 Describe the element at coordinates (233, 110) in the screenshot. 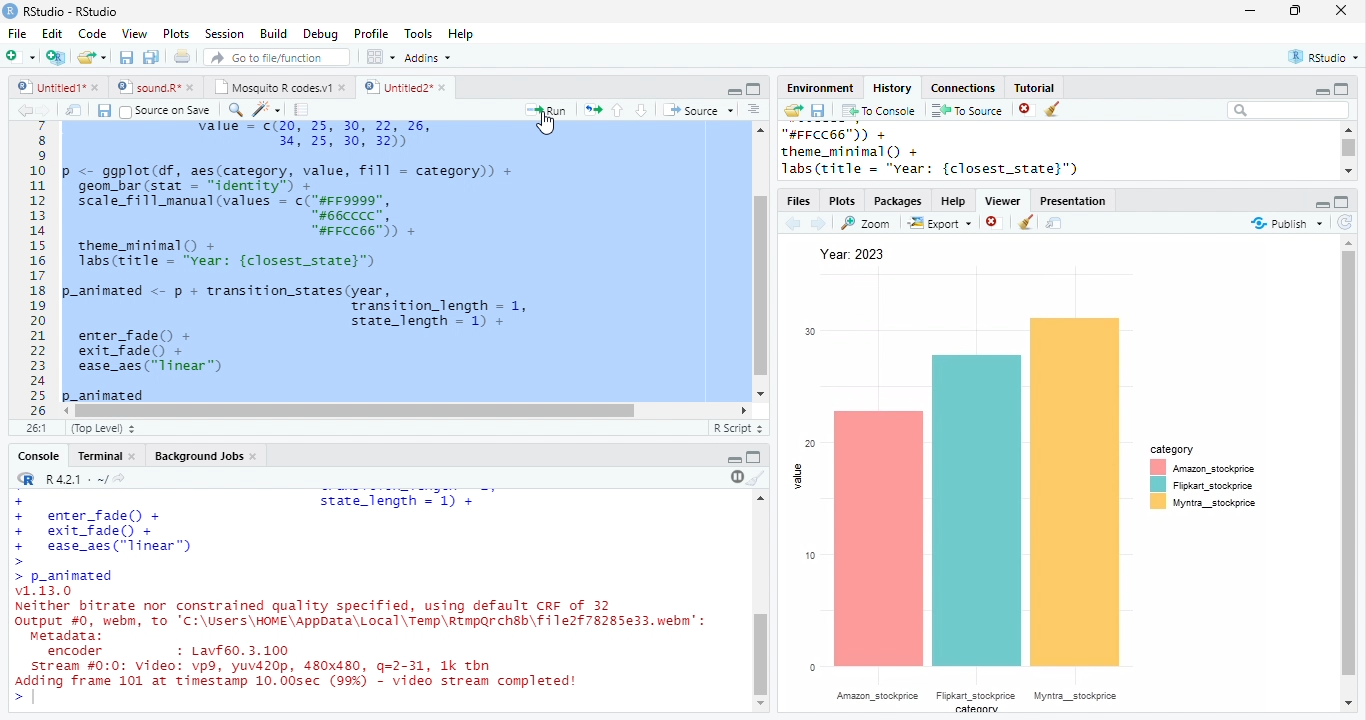

I see `search` at that location.